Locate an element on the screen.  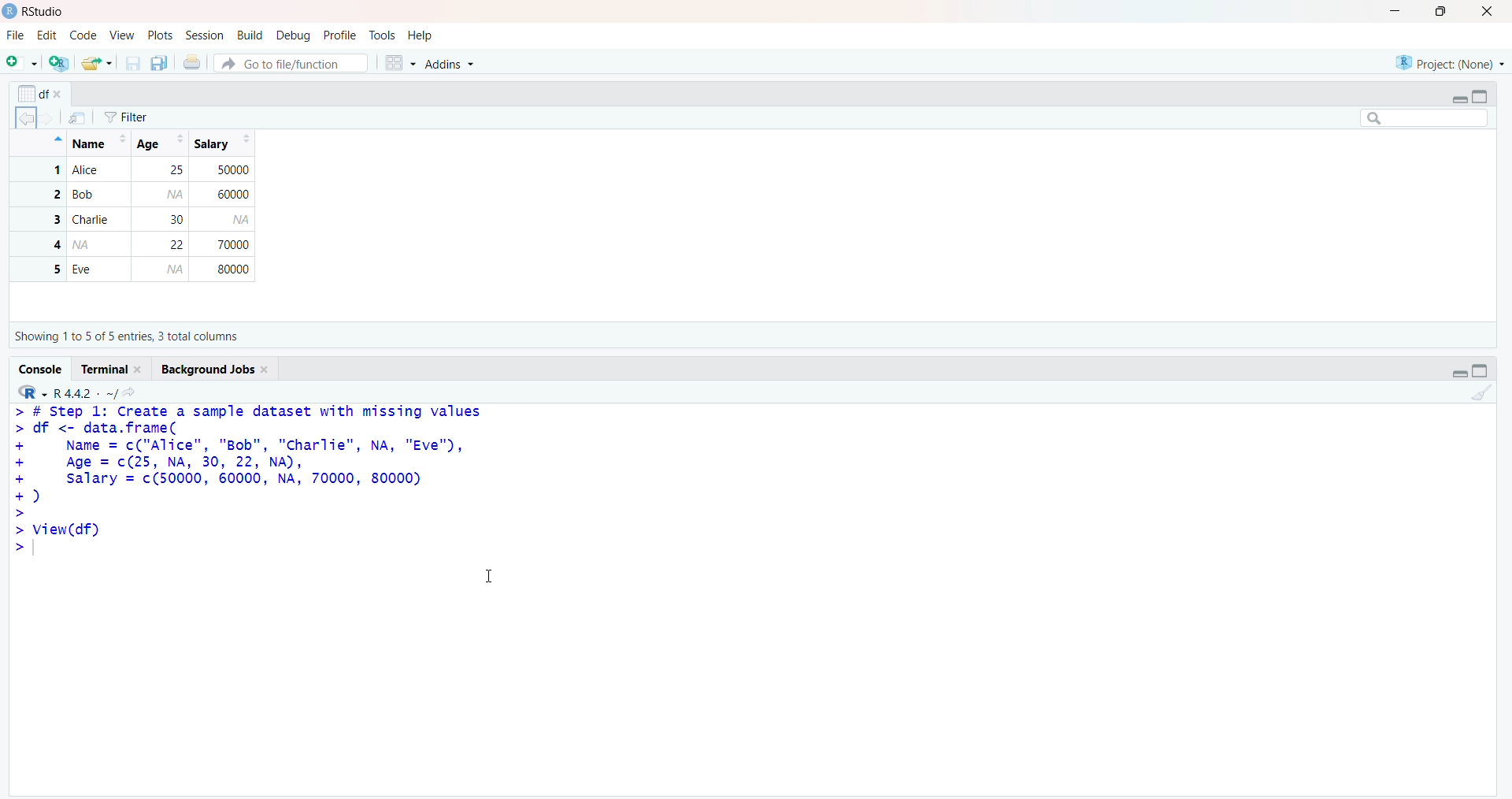
hide is located at coordinates (54, 142).